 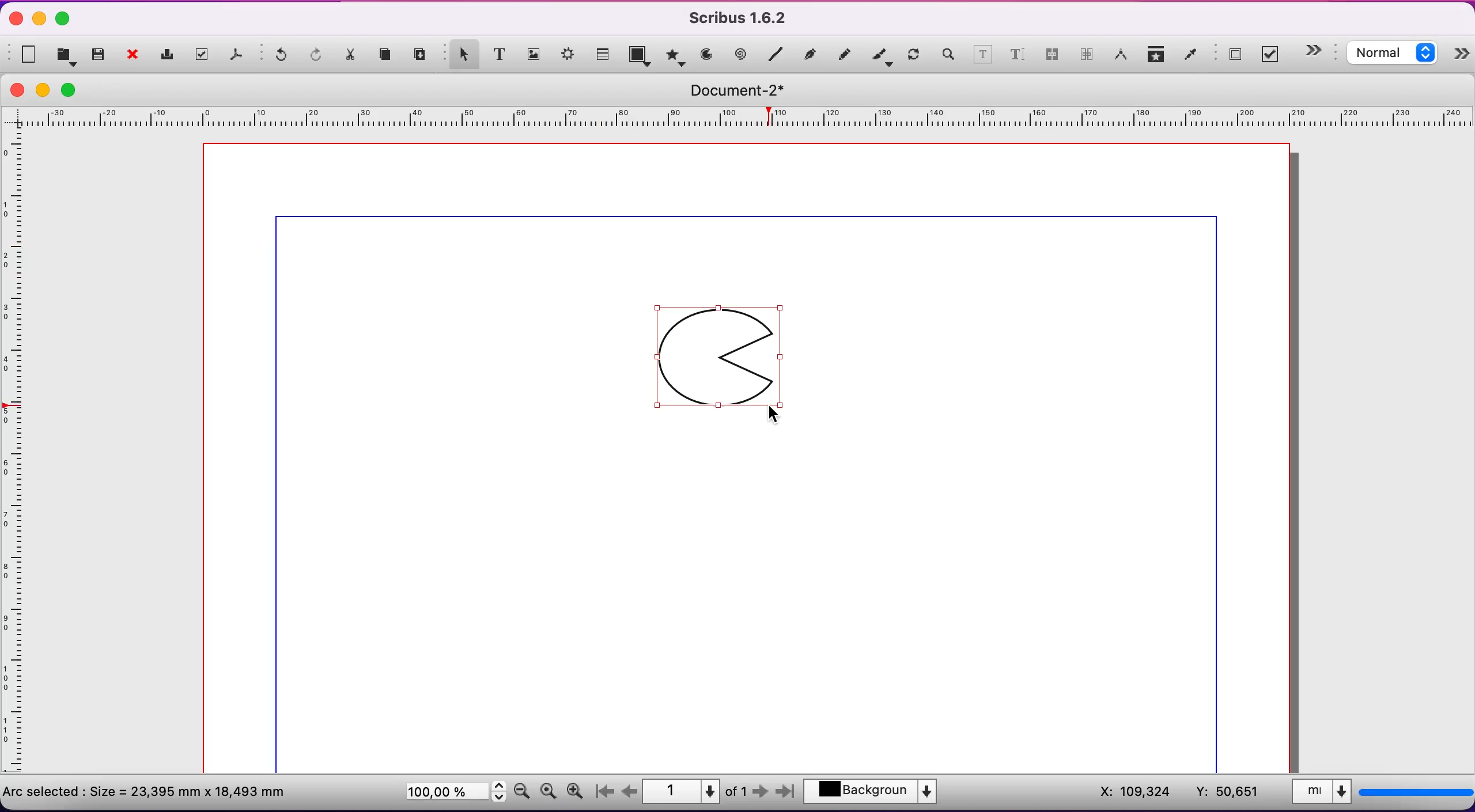 What do you see at coordinates (740, 121) in the screenshot?
I see `horizontal measures` at bounding box center [740, 121].